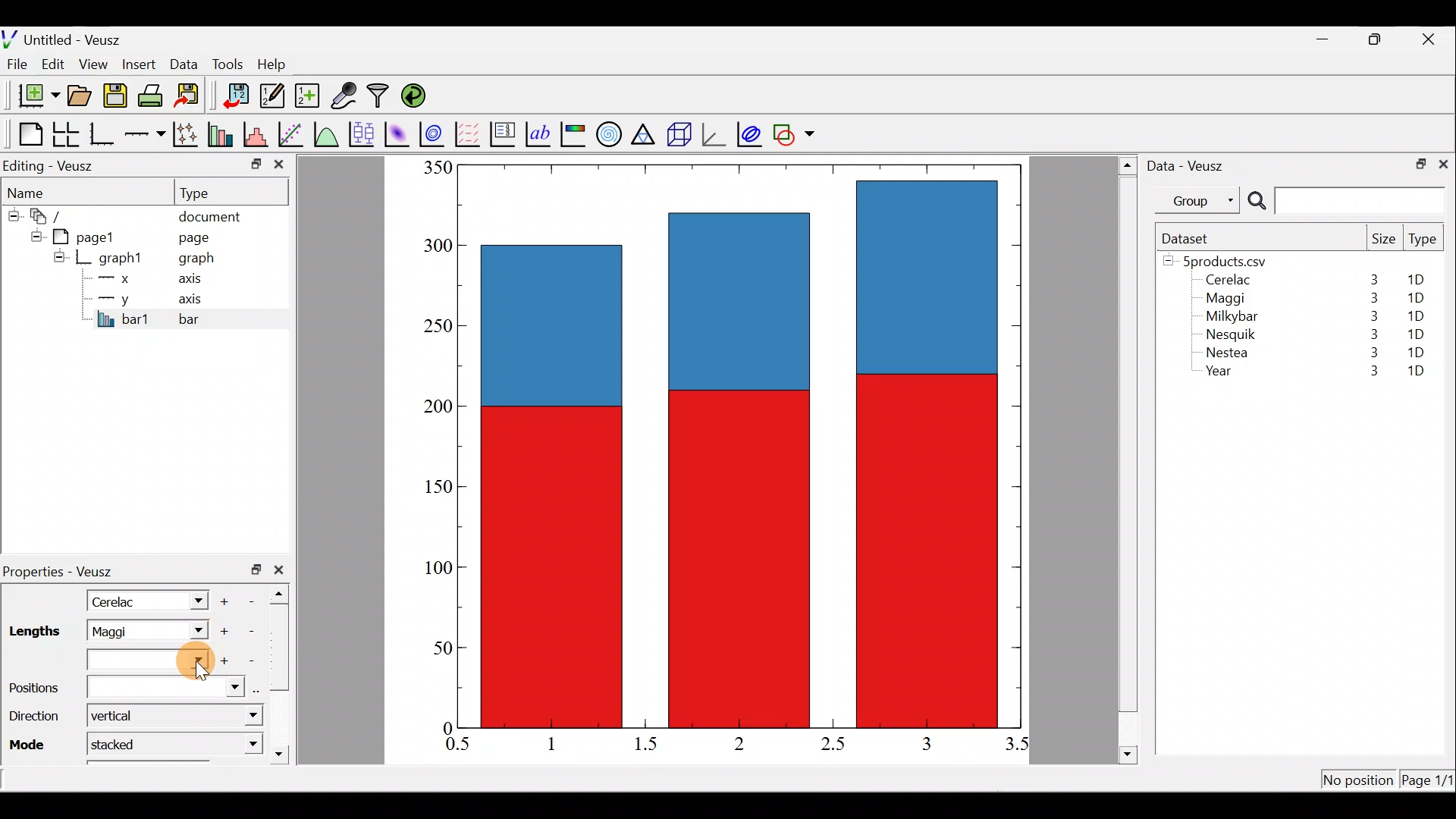  I want to click on bar chart inserted, so click(741, 444).